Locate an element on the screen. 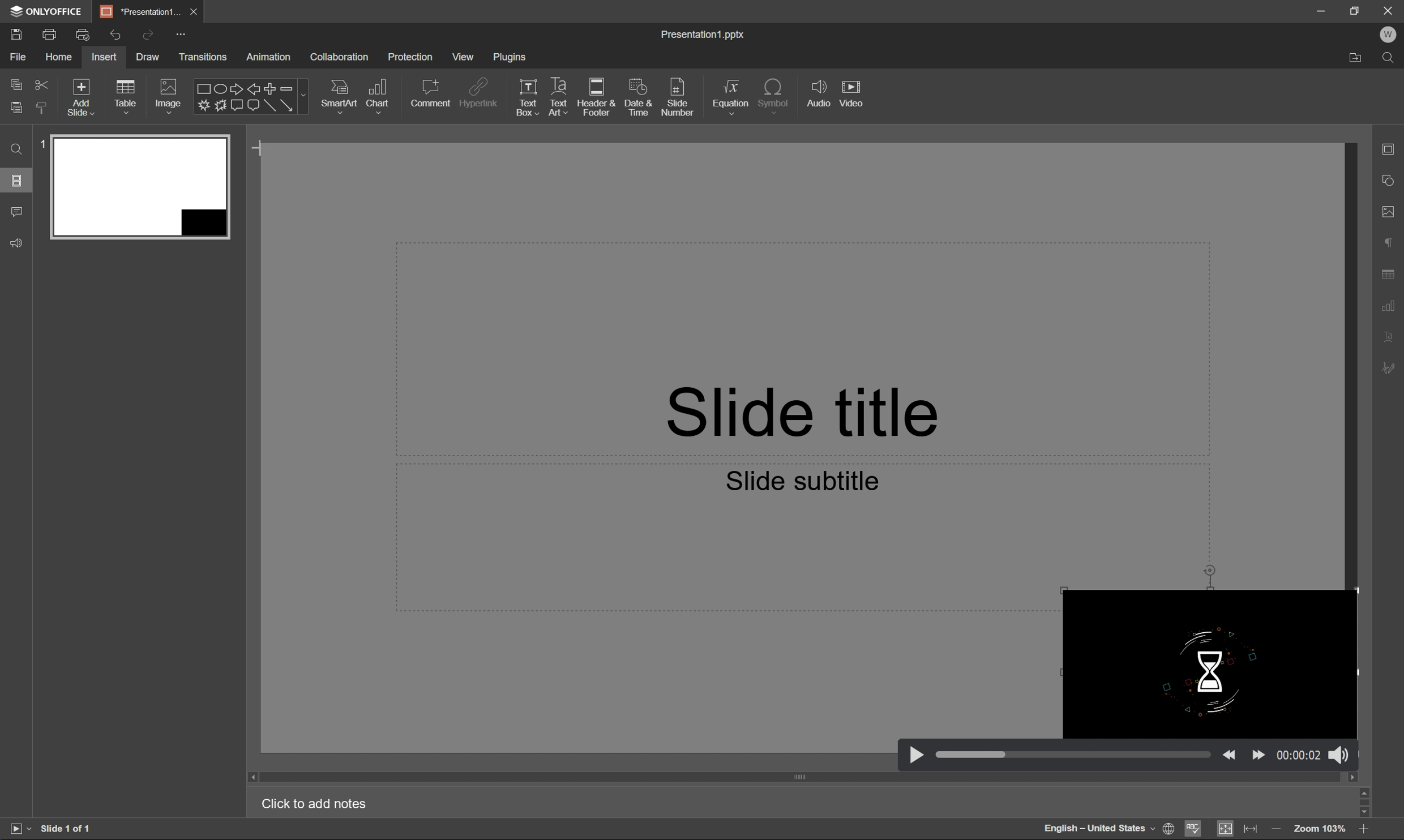 This screenshot has height=840, width=1404. video is located at coordinates (853, 93).